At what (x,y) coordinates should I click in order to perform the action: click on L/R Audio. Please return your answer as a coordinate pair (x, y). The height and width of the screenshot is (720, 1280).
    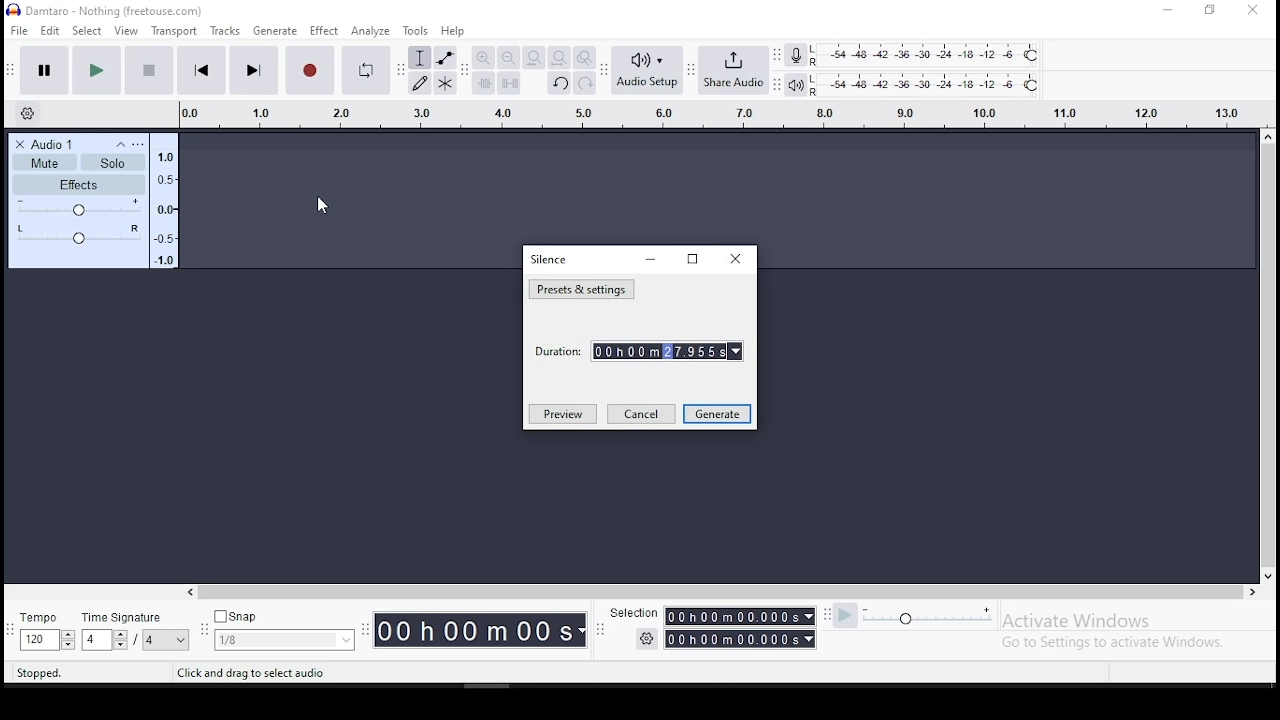
    Looking at the image, I should click on (77, 235).